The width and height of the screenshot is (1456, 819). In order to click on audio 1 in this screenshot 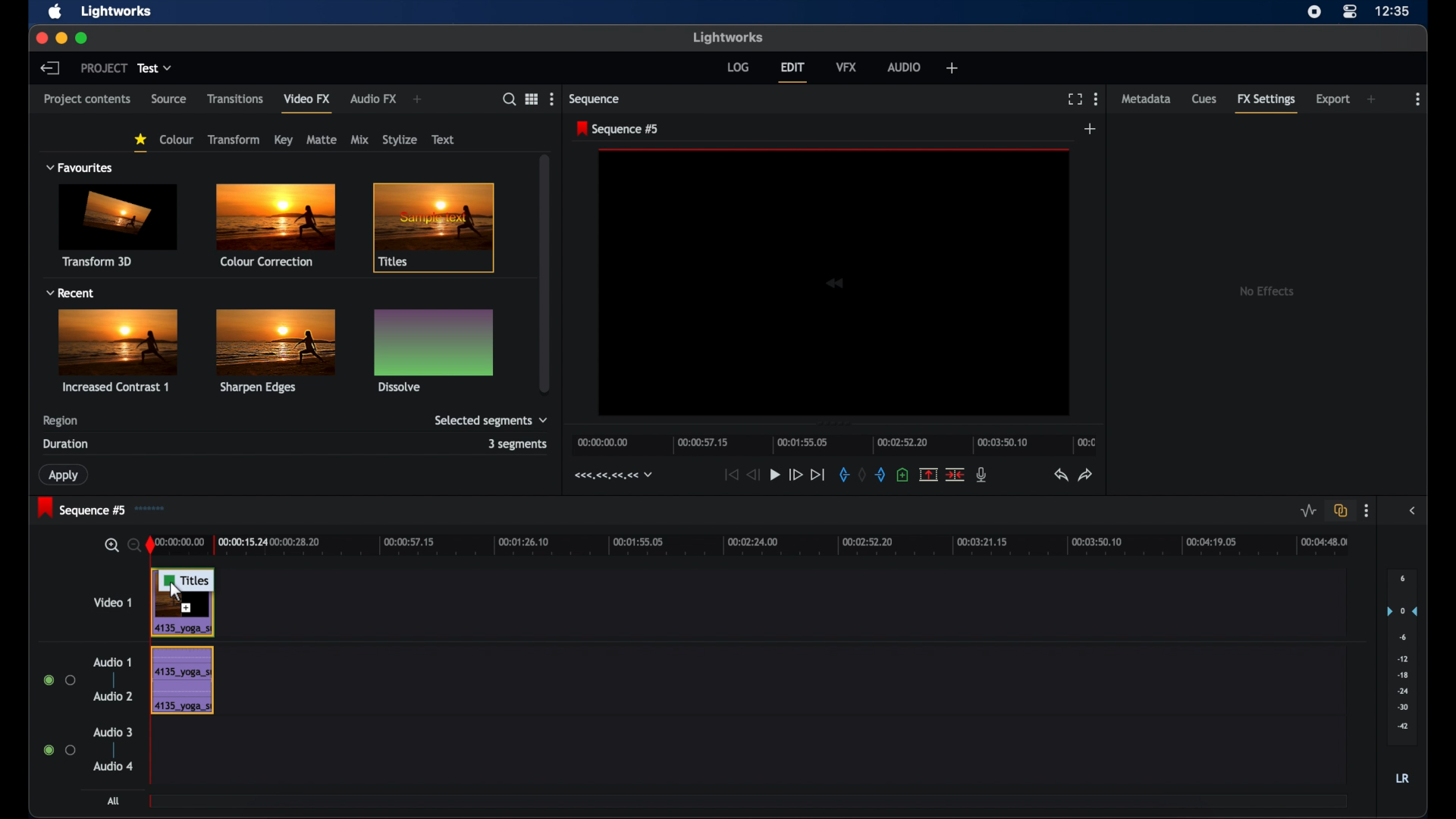, I will do `click(112, 663)`.